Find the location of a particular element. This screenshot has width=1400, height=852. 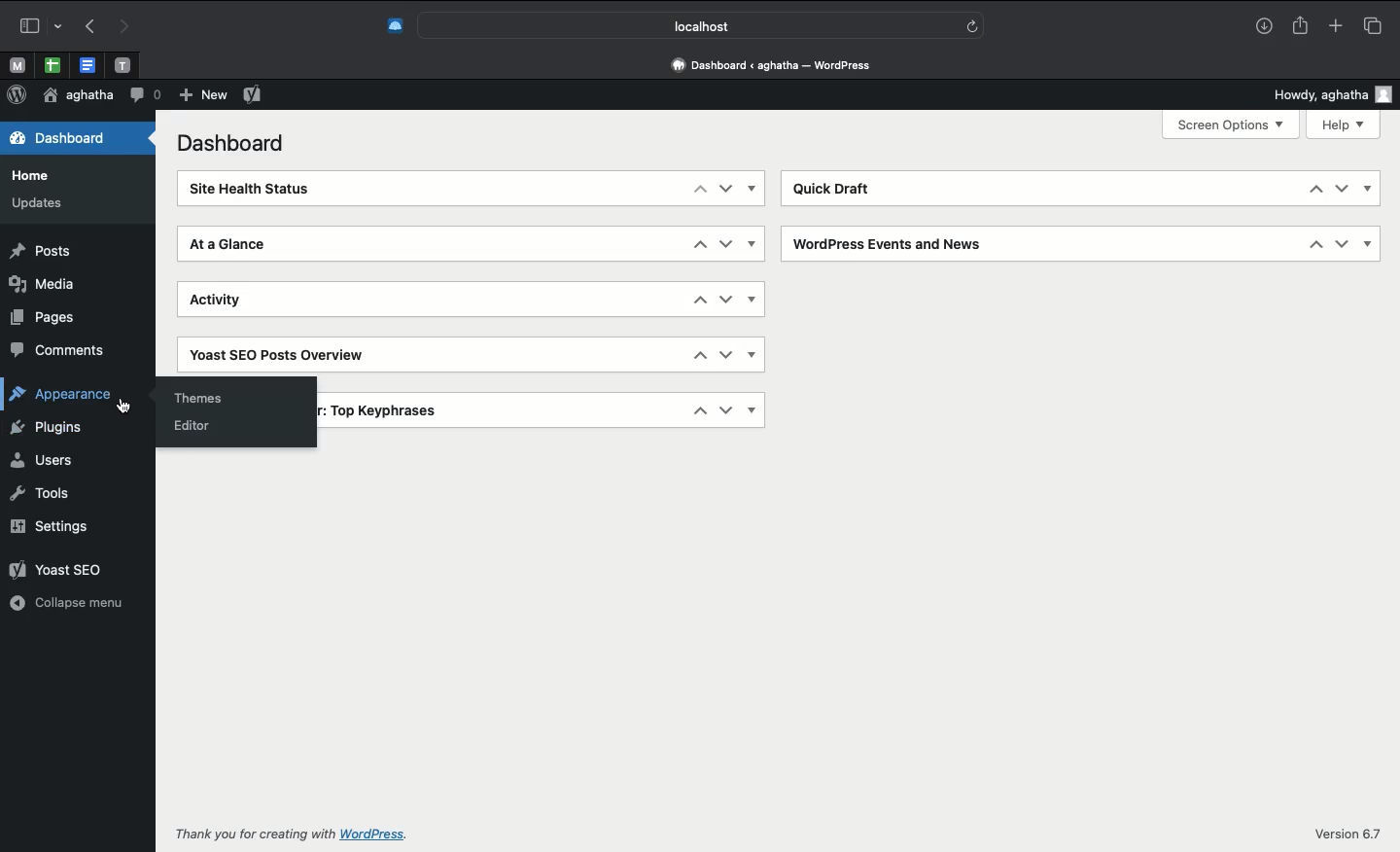

Show is located at coordinates (1369, 245).